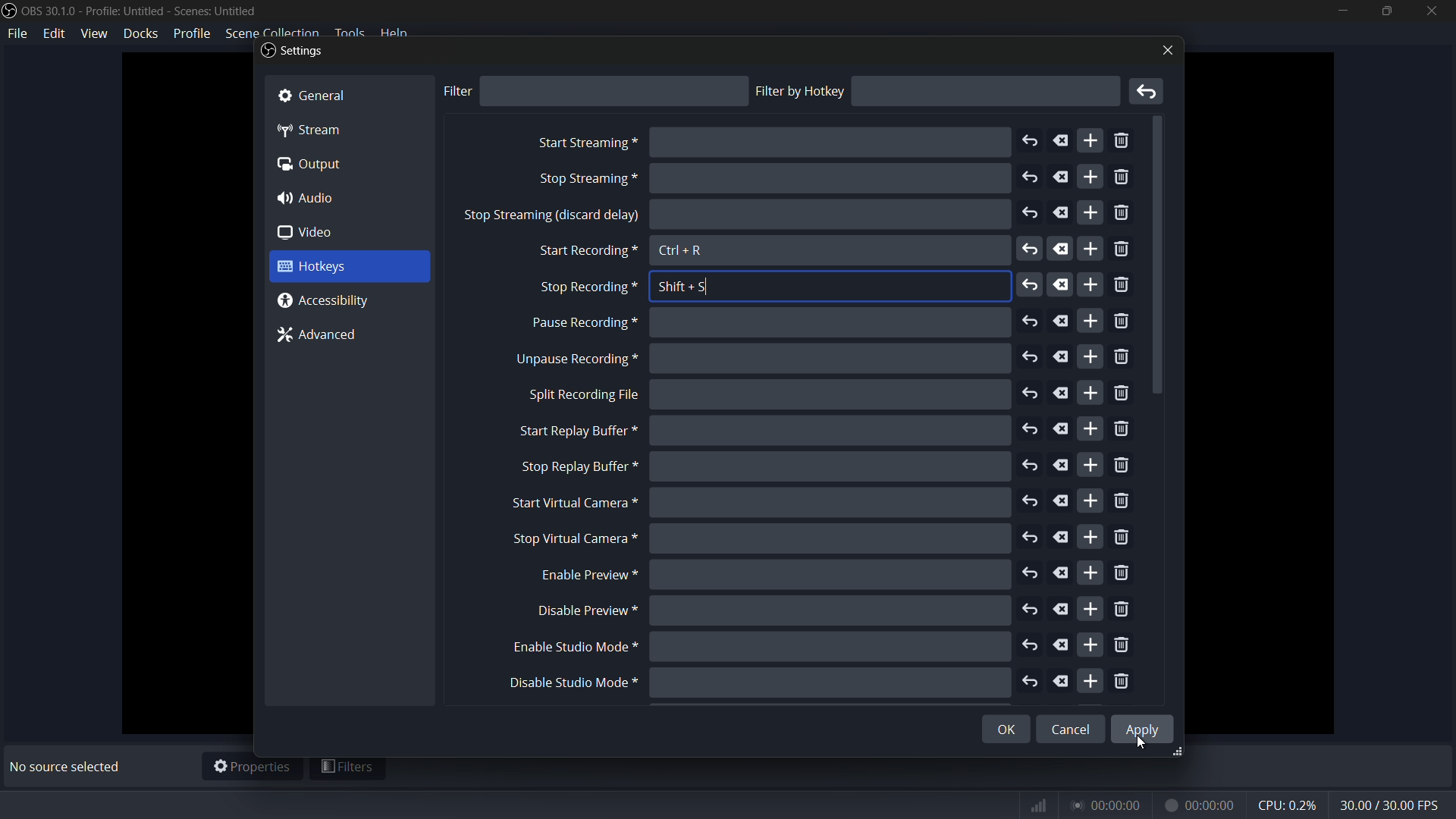 The width and height of the screenshot is (1456, 819). What do you see at coordinates (324, 337) in the screenshot?
I see `7% Advanced` at bounding box center [324, 337].